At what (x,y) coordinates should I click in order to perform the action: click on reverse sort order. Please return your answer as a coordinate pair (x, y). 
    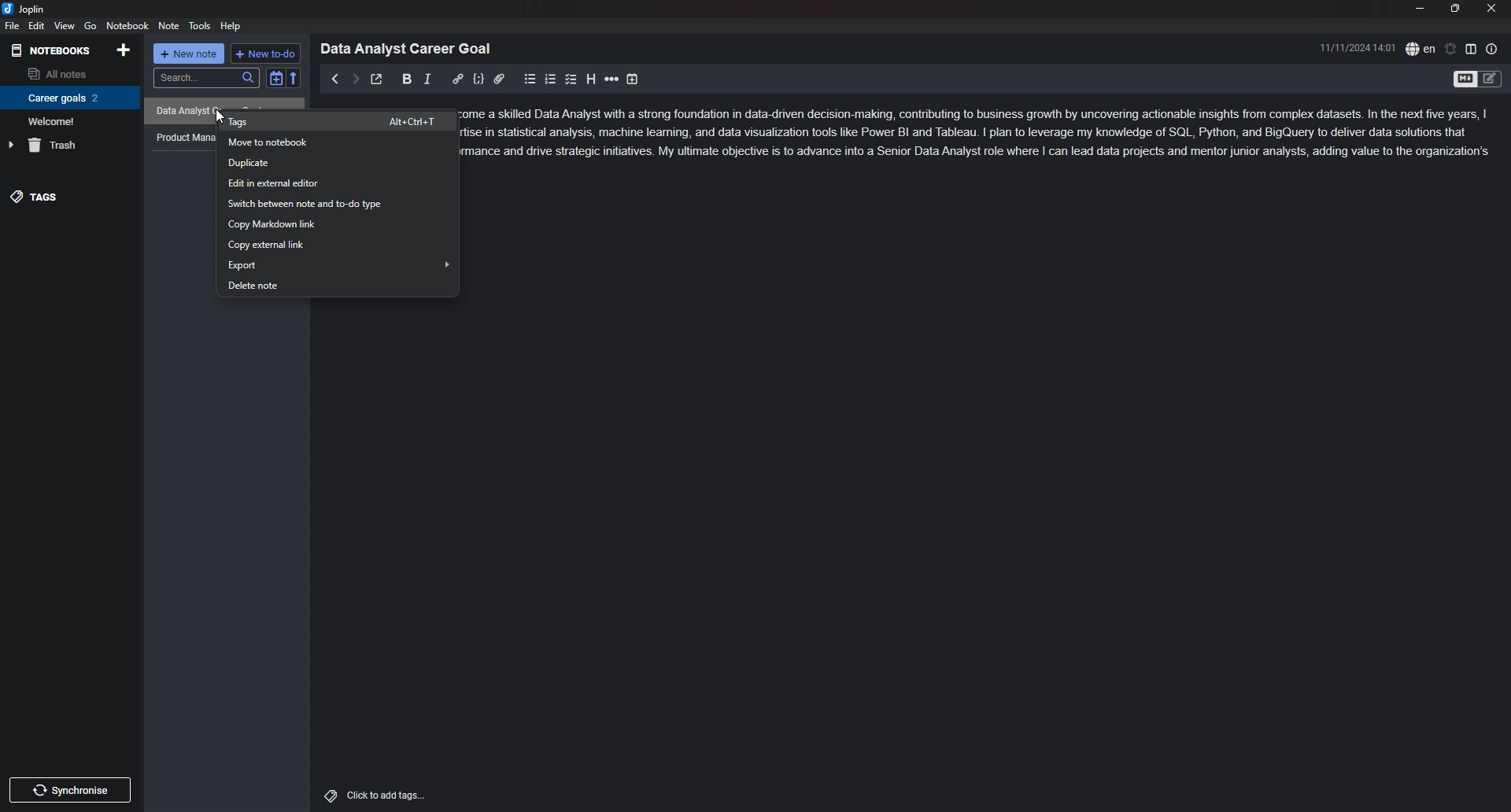
    Looking at the image, I should click on (294, 77).